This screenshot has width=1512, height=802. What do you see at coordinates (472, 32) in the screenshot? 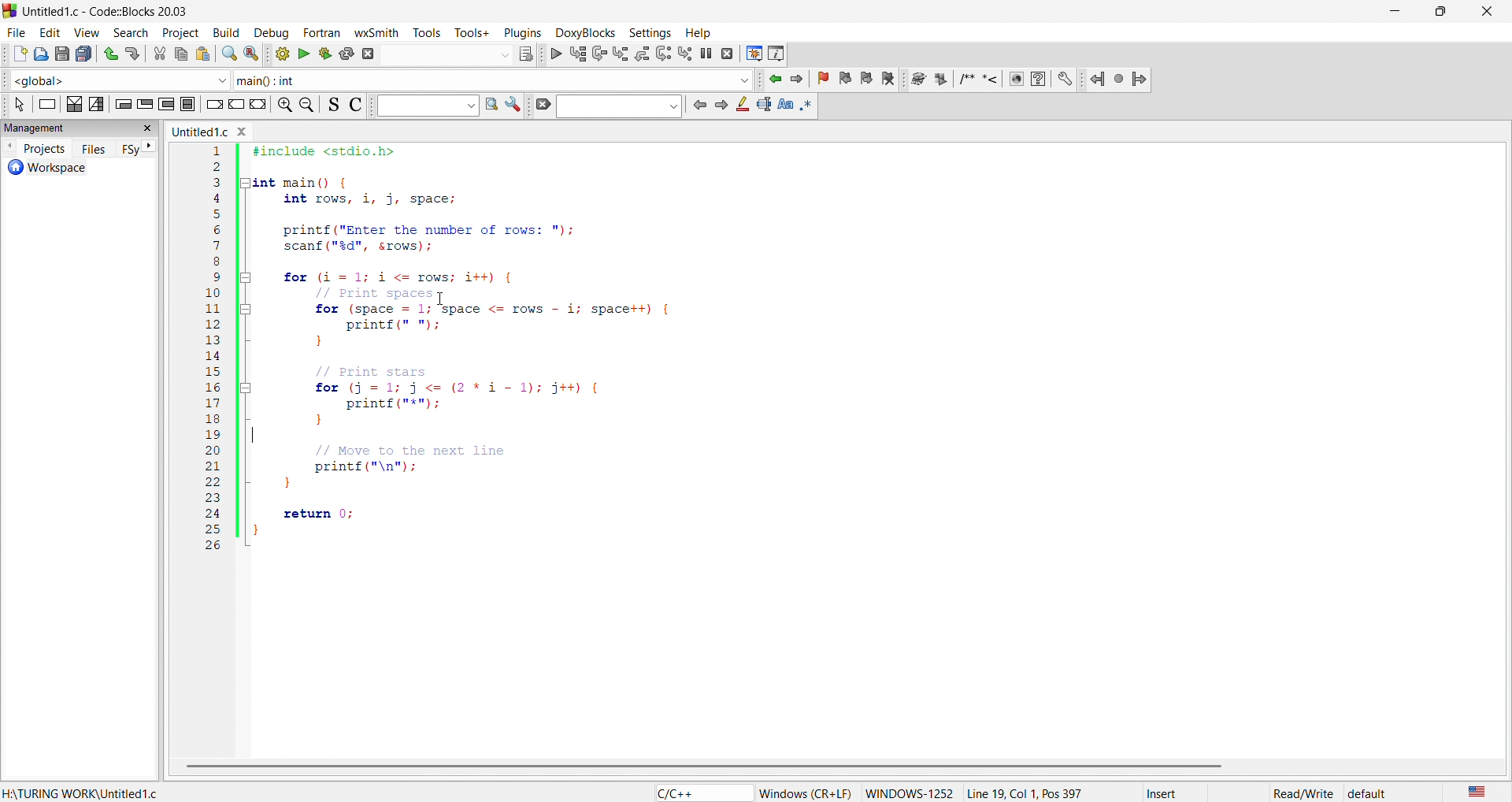
I see `tools+` at bounding box center [472, 32].